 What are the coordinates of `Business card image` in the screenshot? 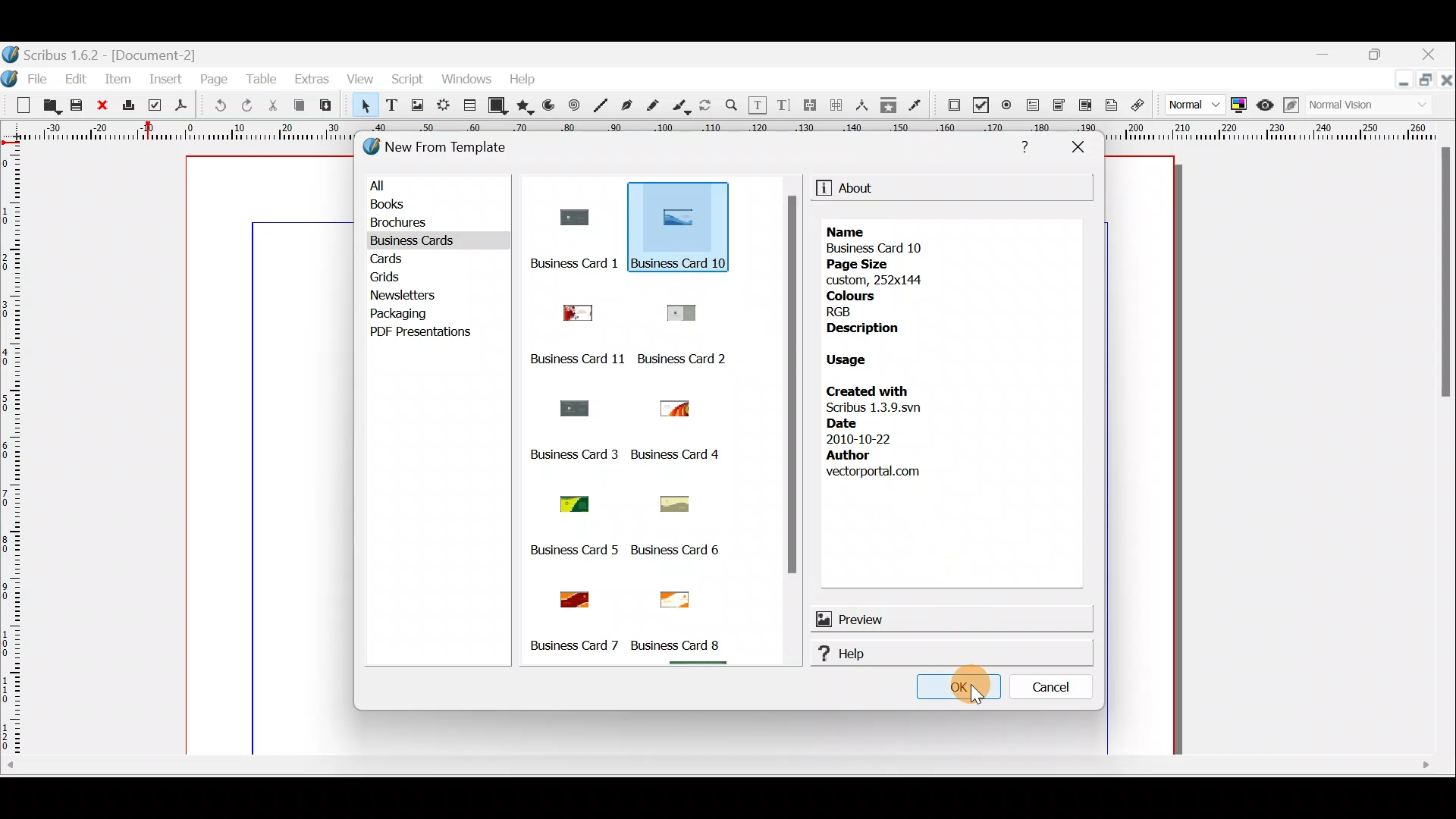 It's located at (570, 309).